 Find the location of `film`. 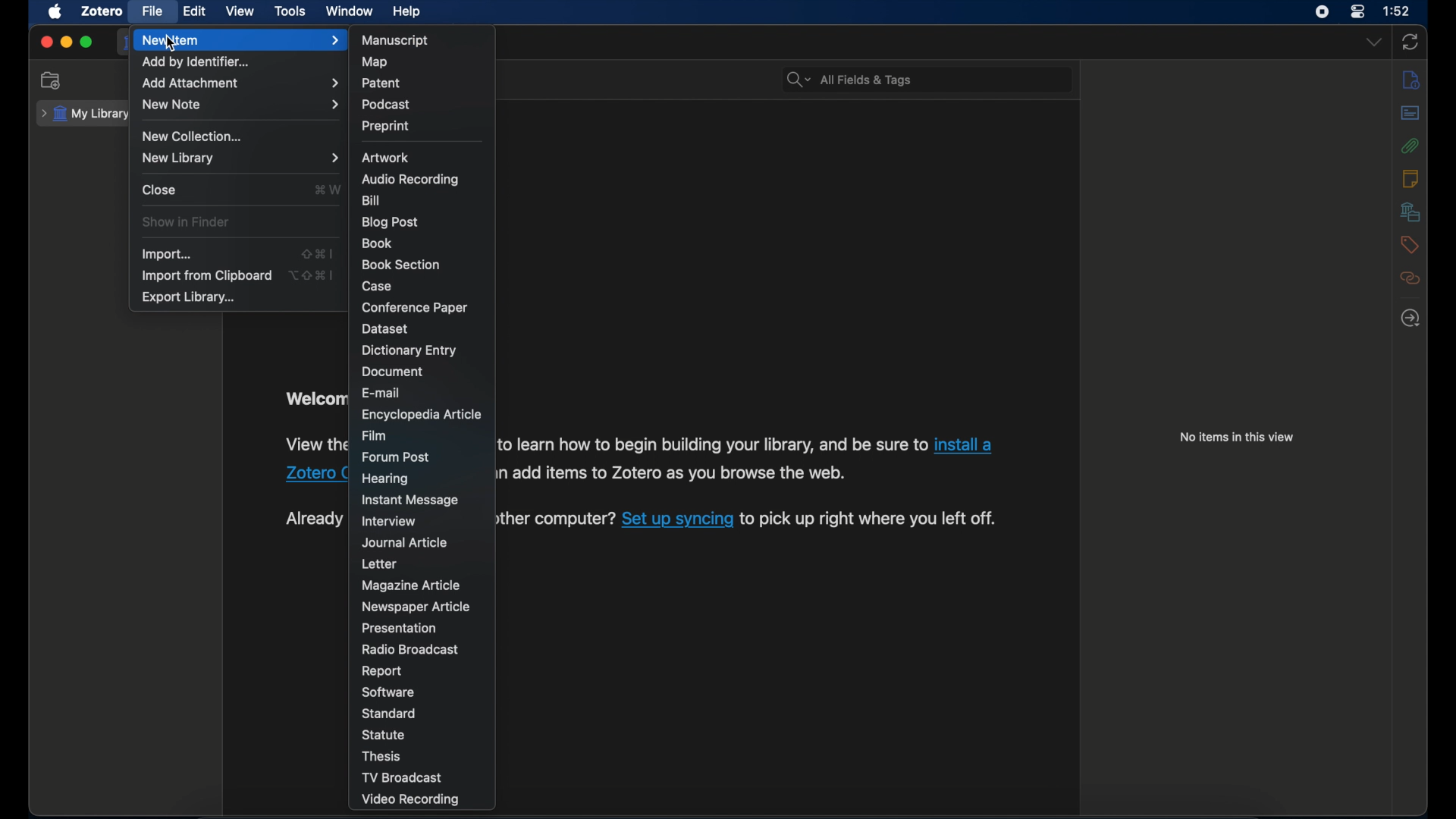

film is located at coordinates (373, 435).